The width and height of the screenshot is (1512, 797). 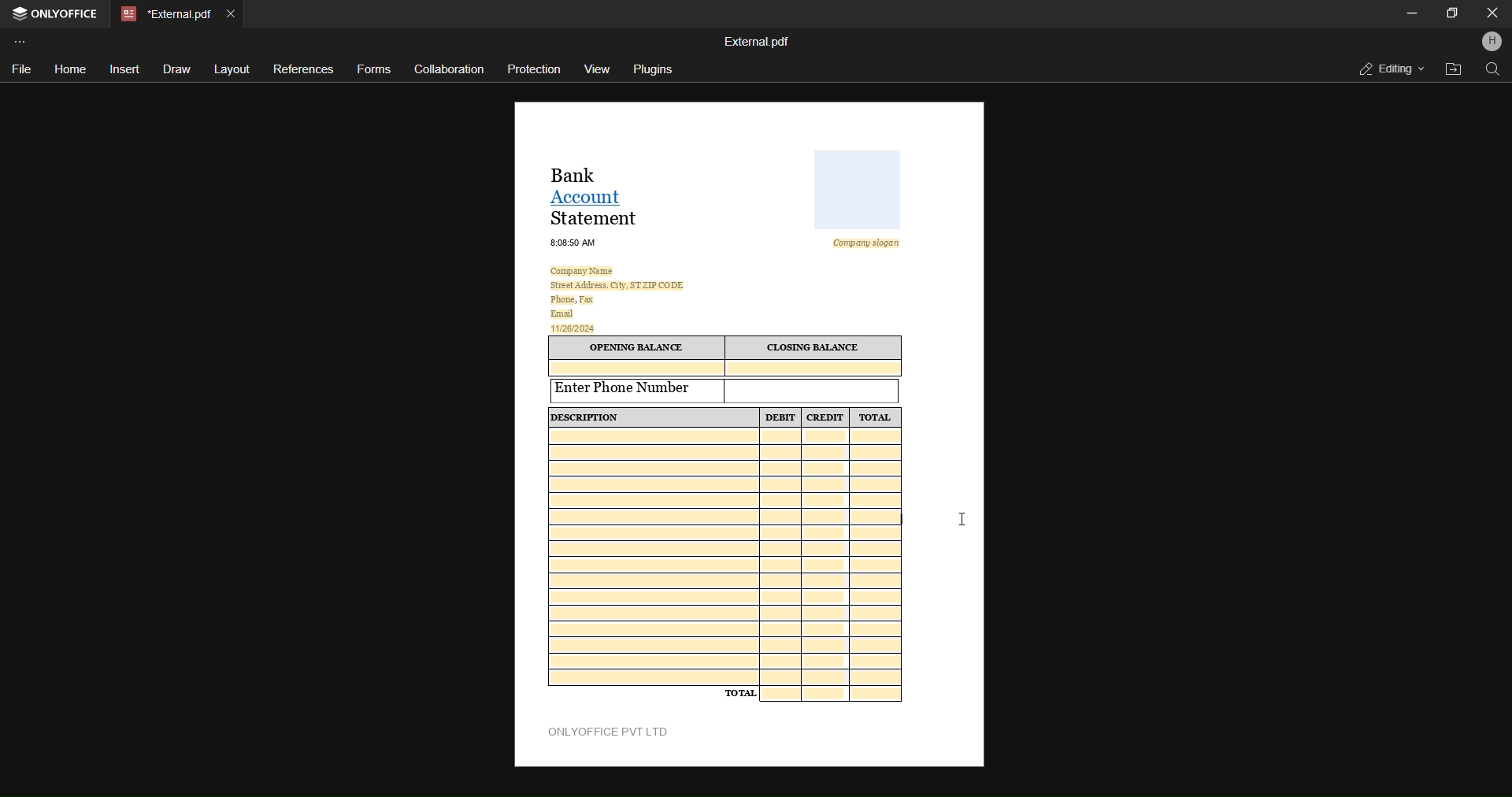 I want to click on view, so click(x=600, y=69).